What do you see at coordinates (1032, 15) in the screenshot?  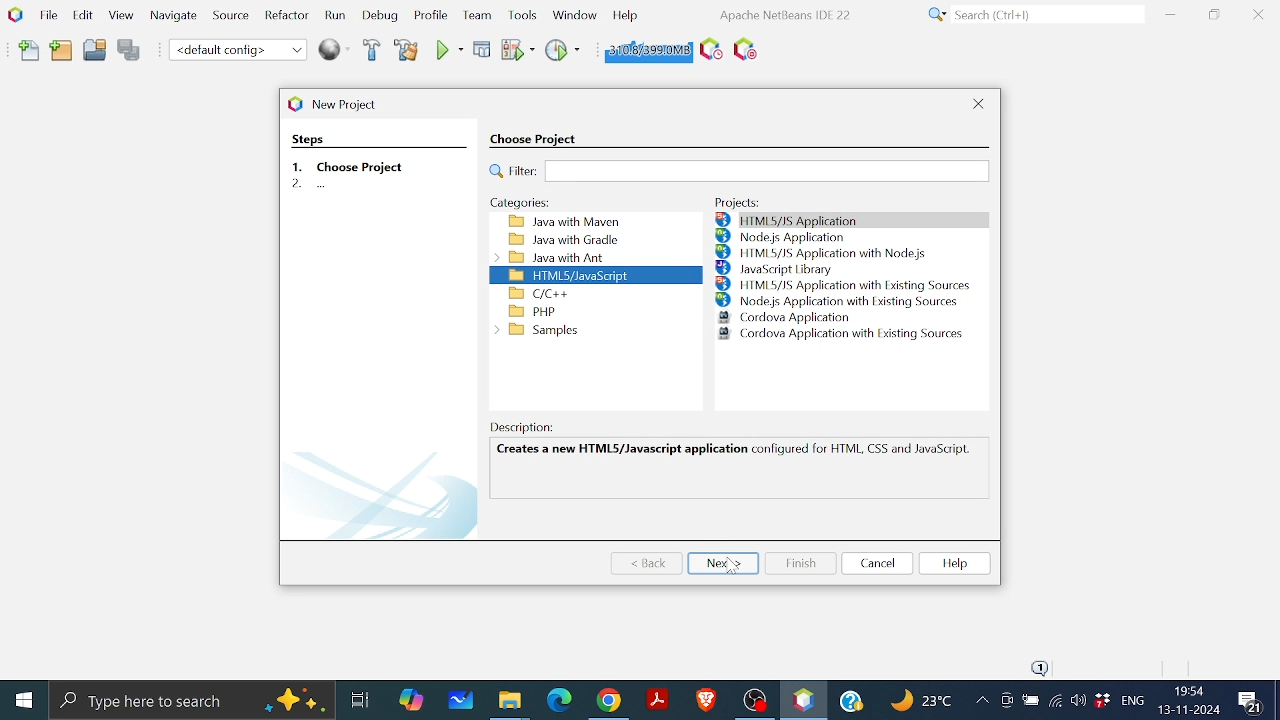 I see `Search` at bounding box center [1032, 15].